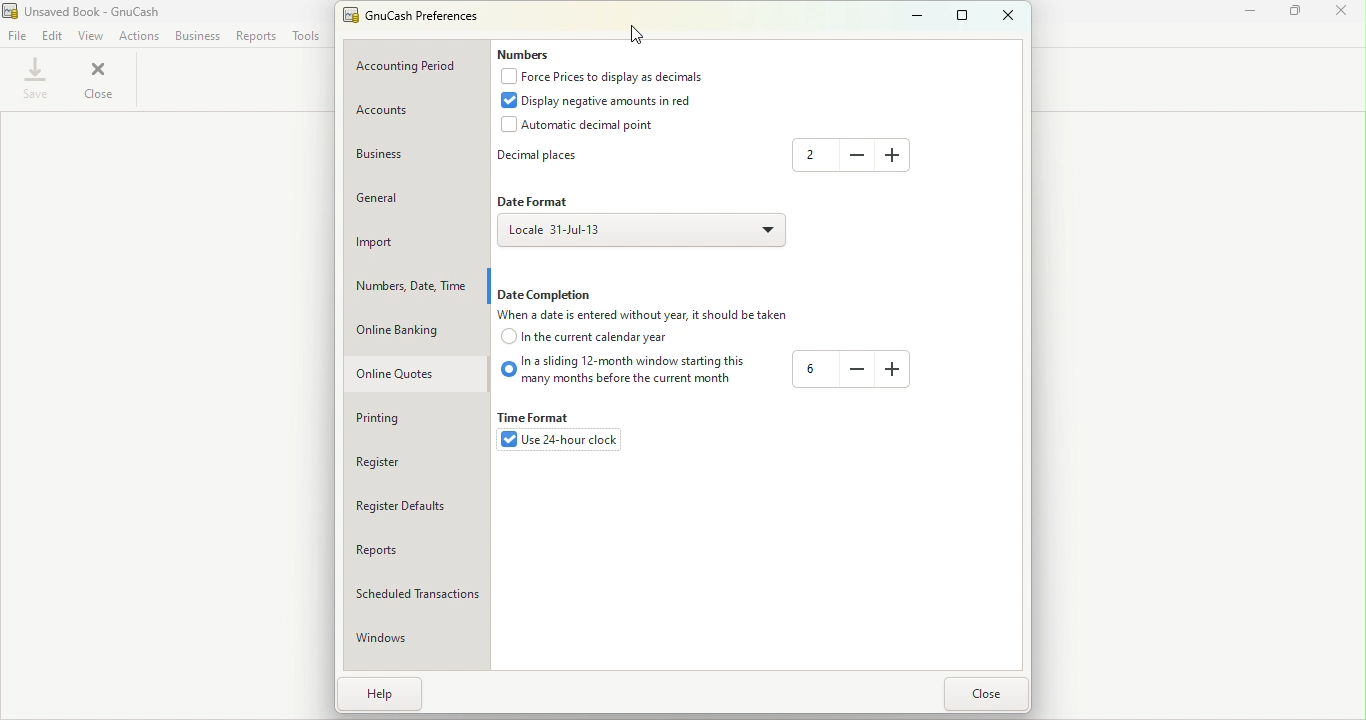 Image resolution: width=1366 pixels, height=720 pixels. What do you see at coordinates (894, 371) in the screenshot?
I see `+` at bounding box center [894, 371].